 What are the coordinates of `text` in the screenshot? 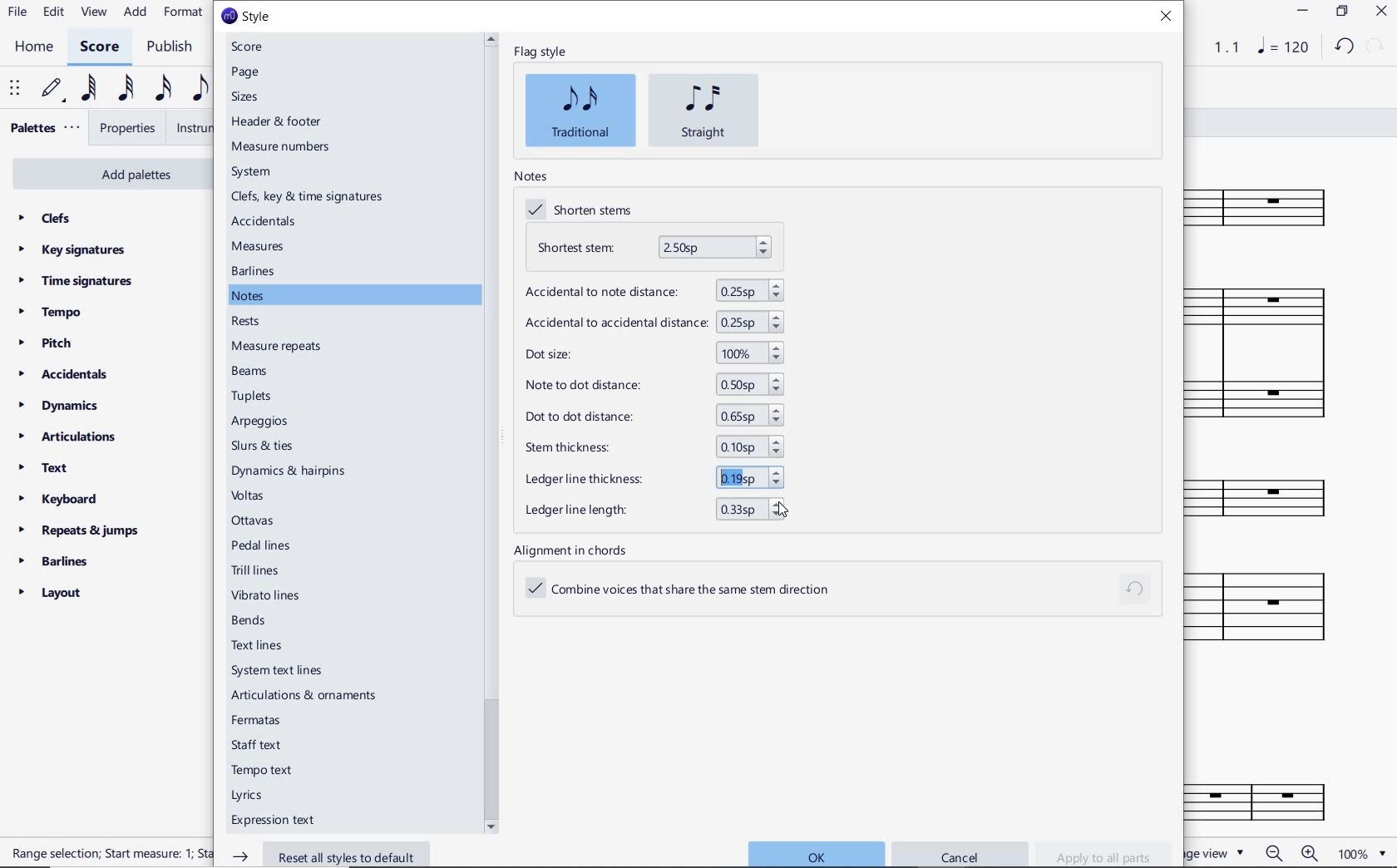 It's located at (43, 468).